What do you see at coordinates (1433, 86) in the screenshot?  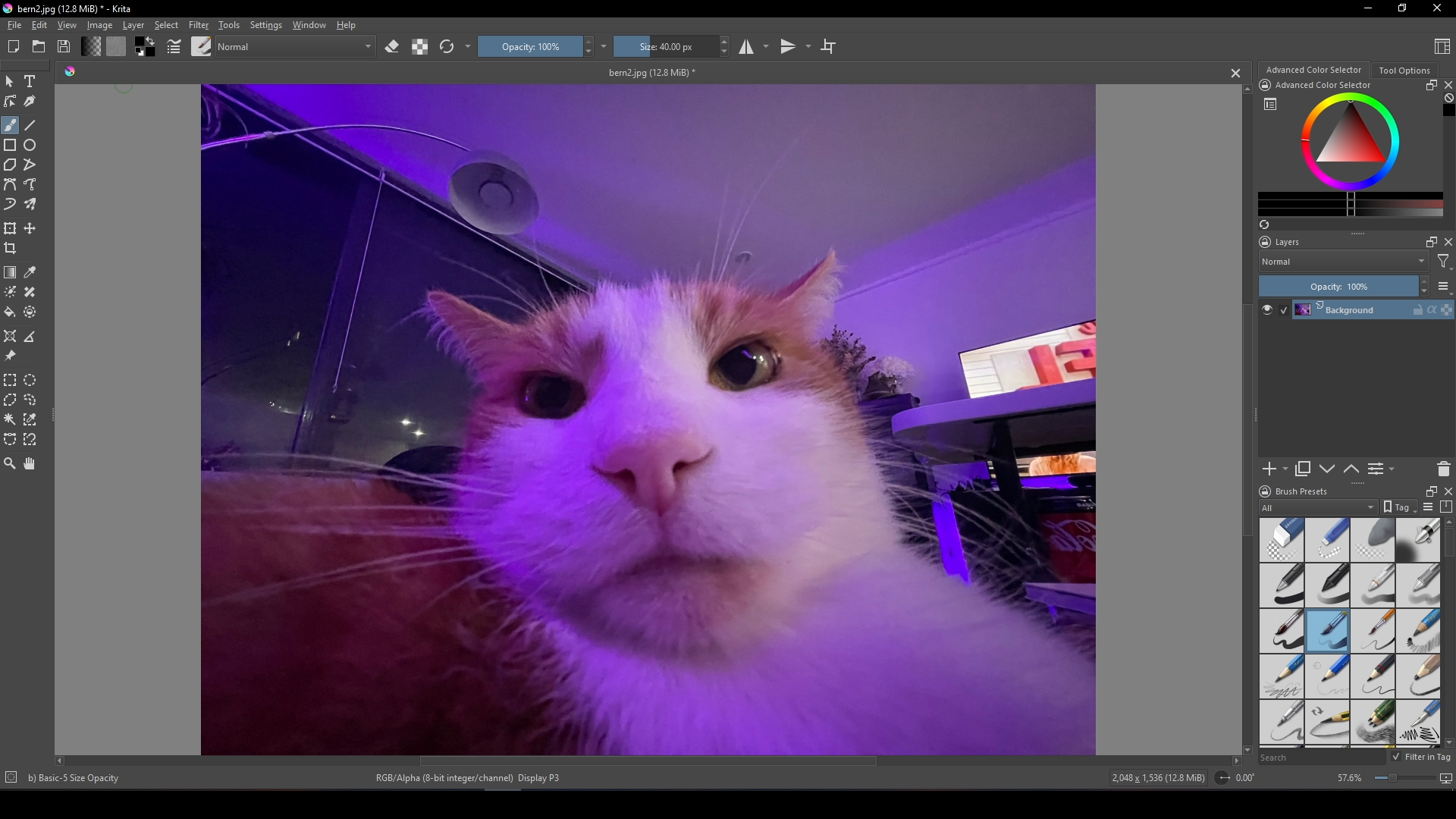 I see `Float docker` at bounding box center [1433, 86].